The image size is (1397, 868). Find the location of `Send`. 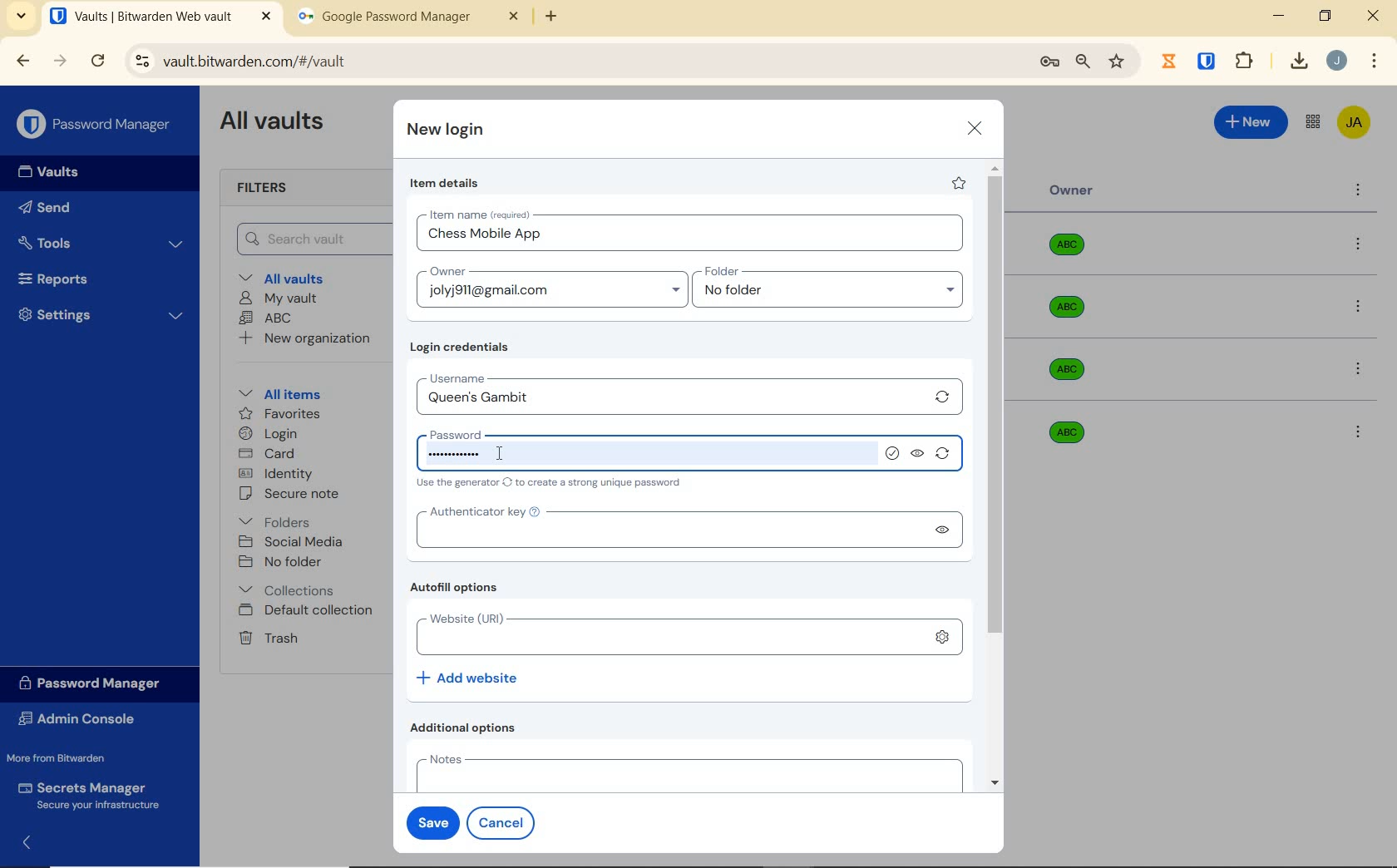

Send is located at coordinates (45, 210).